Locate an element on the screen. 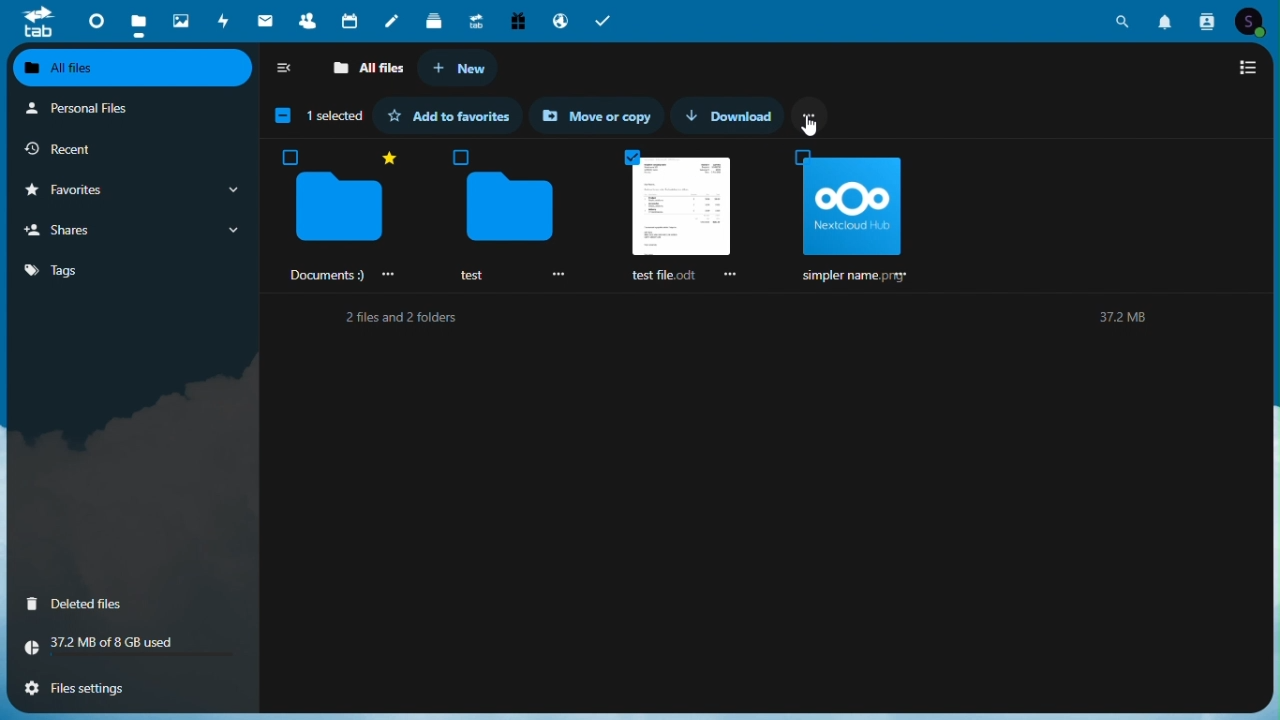 The image size is (1280, 720). 37.2M8 is located at coordinates (1123, 315).